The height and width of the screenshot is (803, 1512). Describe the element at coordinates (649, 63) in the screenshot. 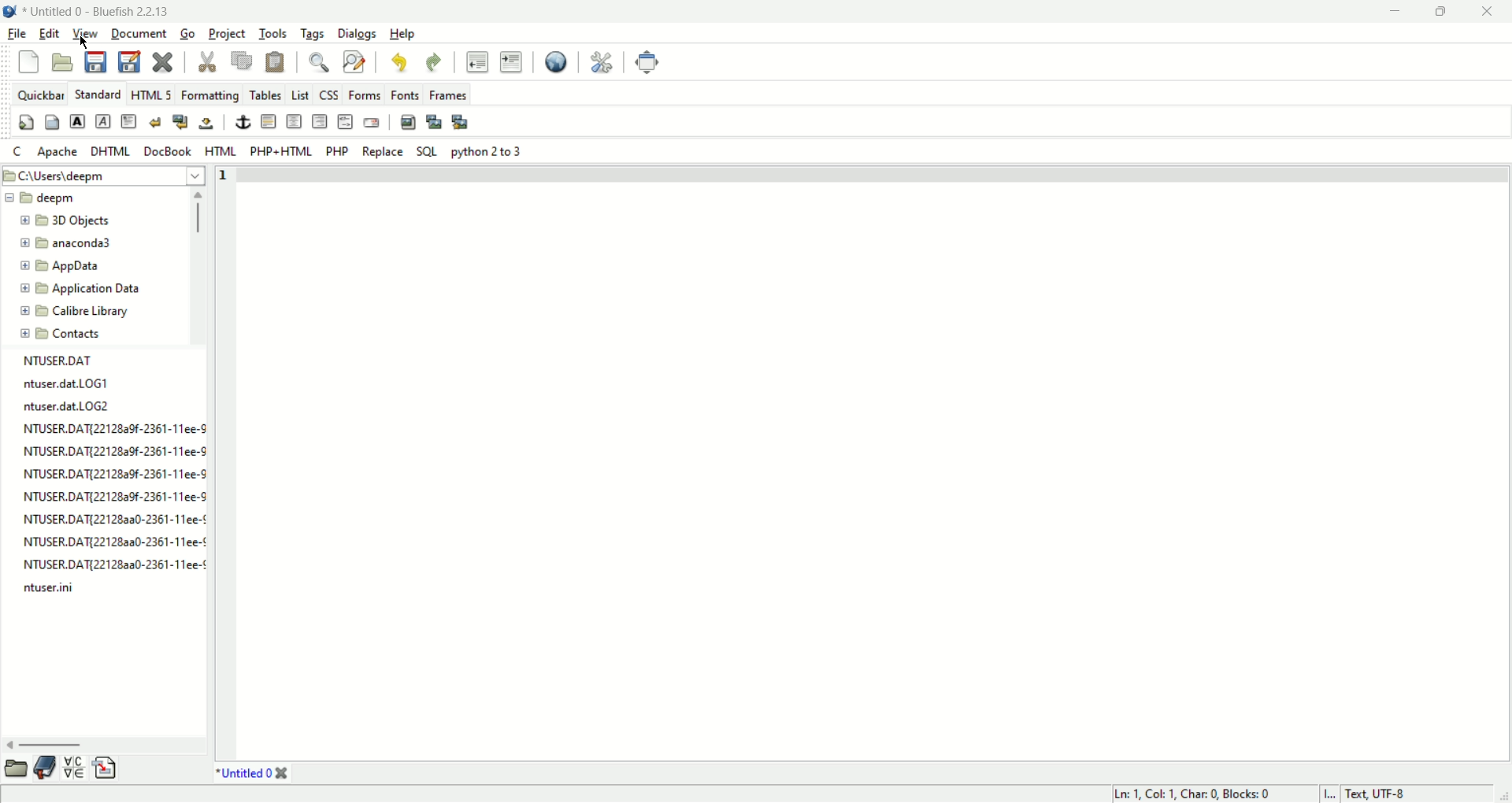

I see `fullscreen` at that location.